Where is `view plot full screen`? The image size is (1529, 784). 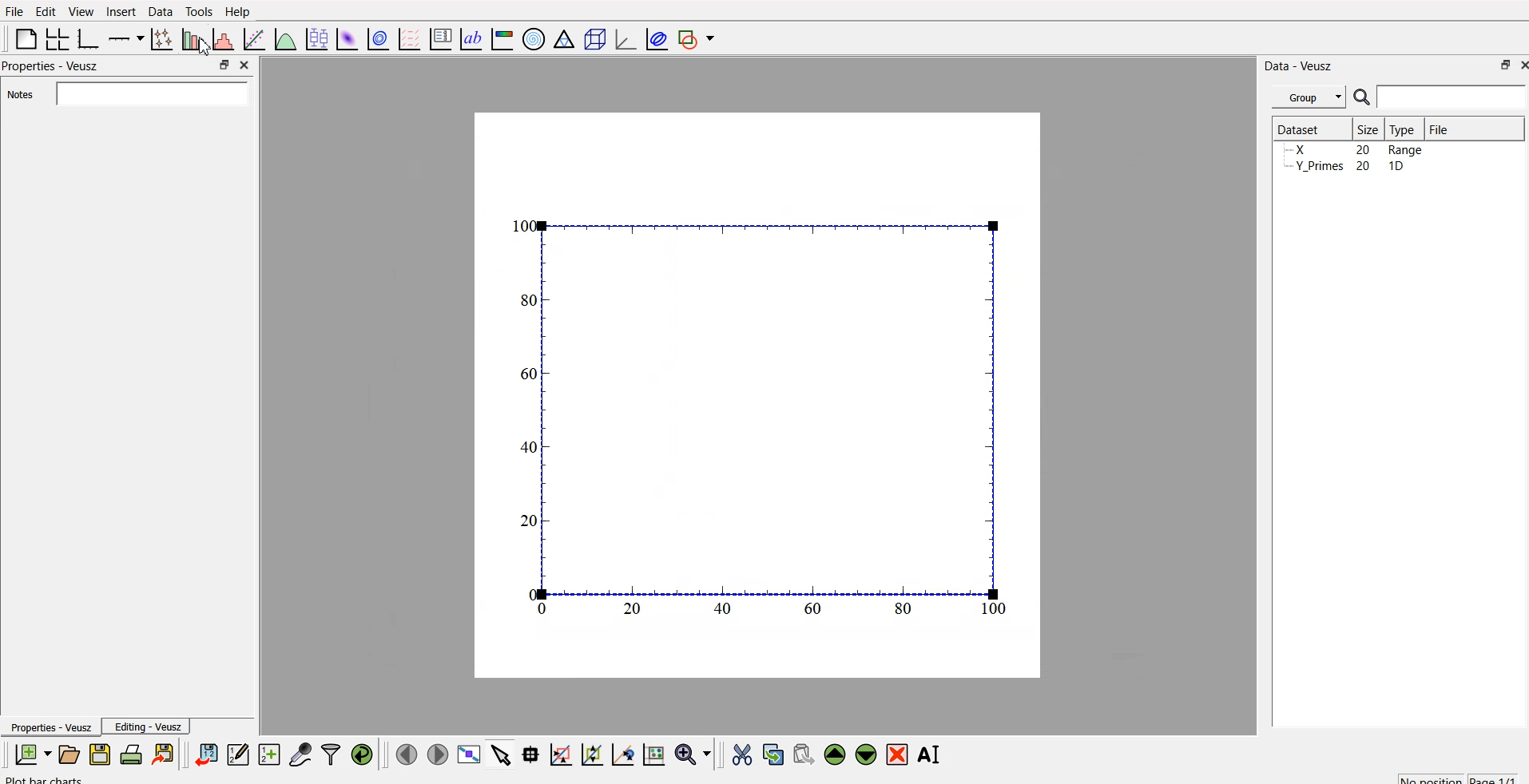
view plot full screen is located at coordinates (470, 754).